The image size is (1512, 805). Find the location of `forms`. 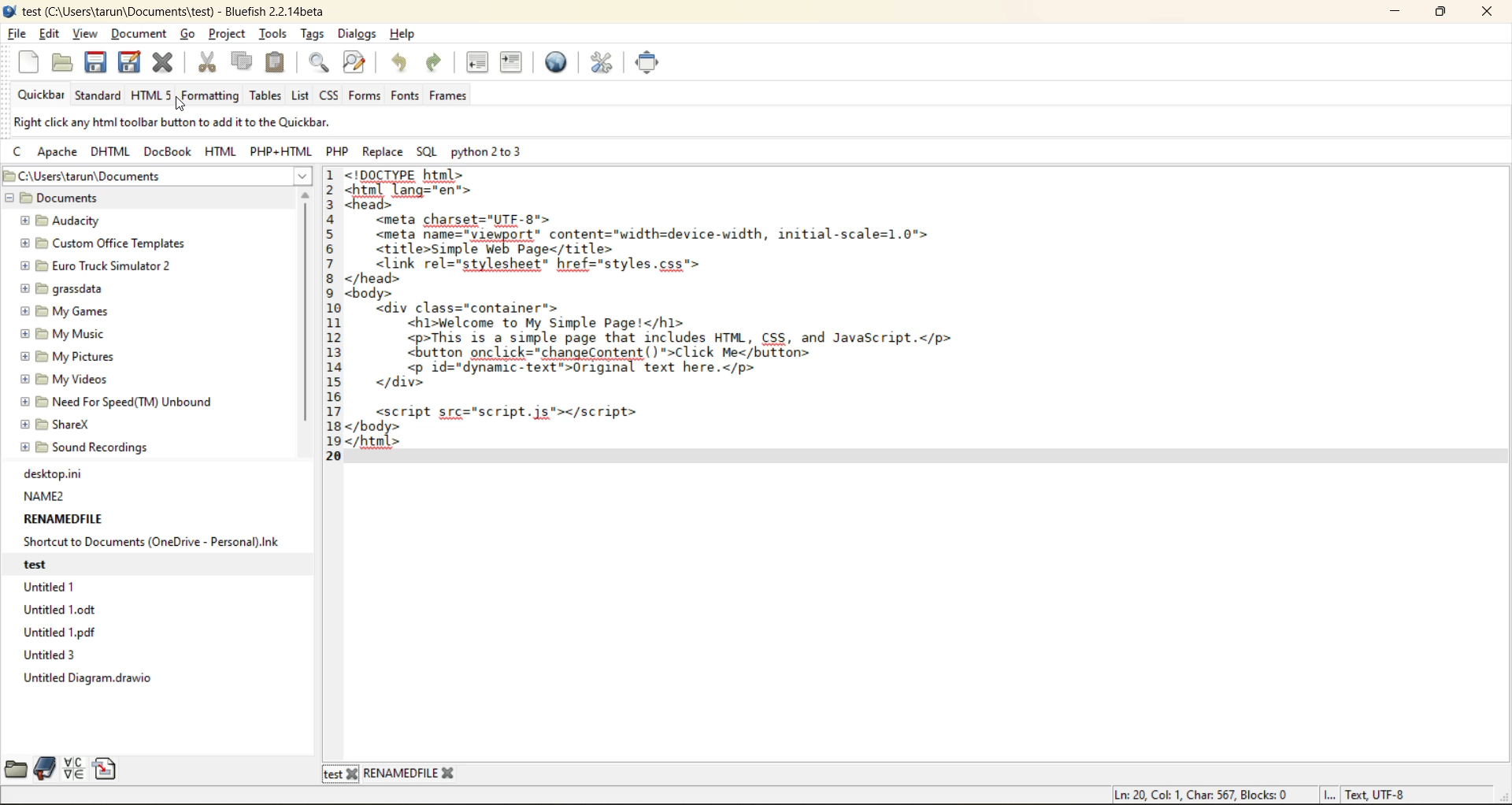

forms is located at coordinates (365, 95).